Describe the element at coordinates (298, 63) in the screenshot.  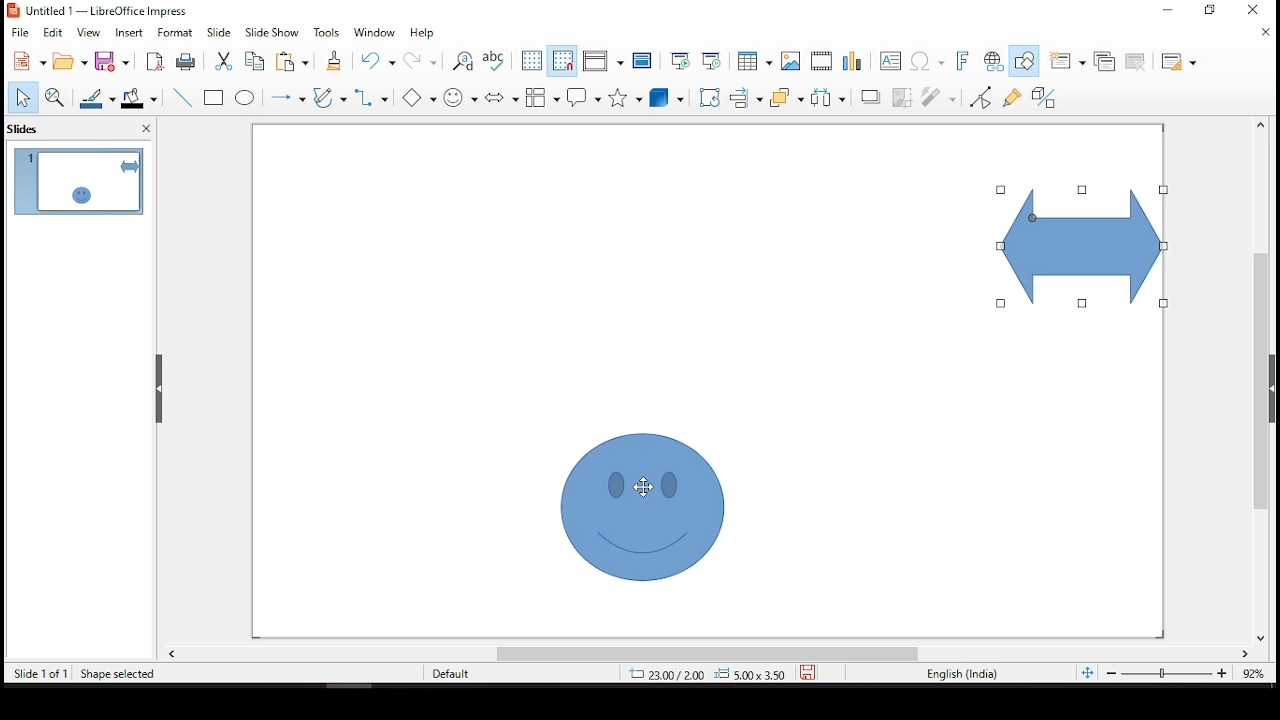
I see `paste` at that location.